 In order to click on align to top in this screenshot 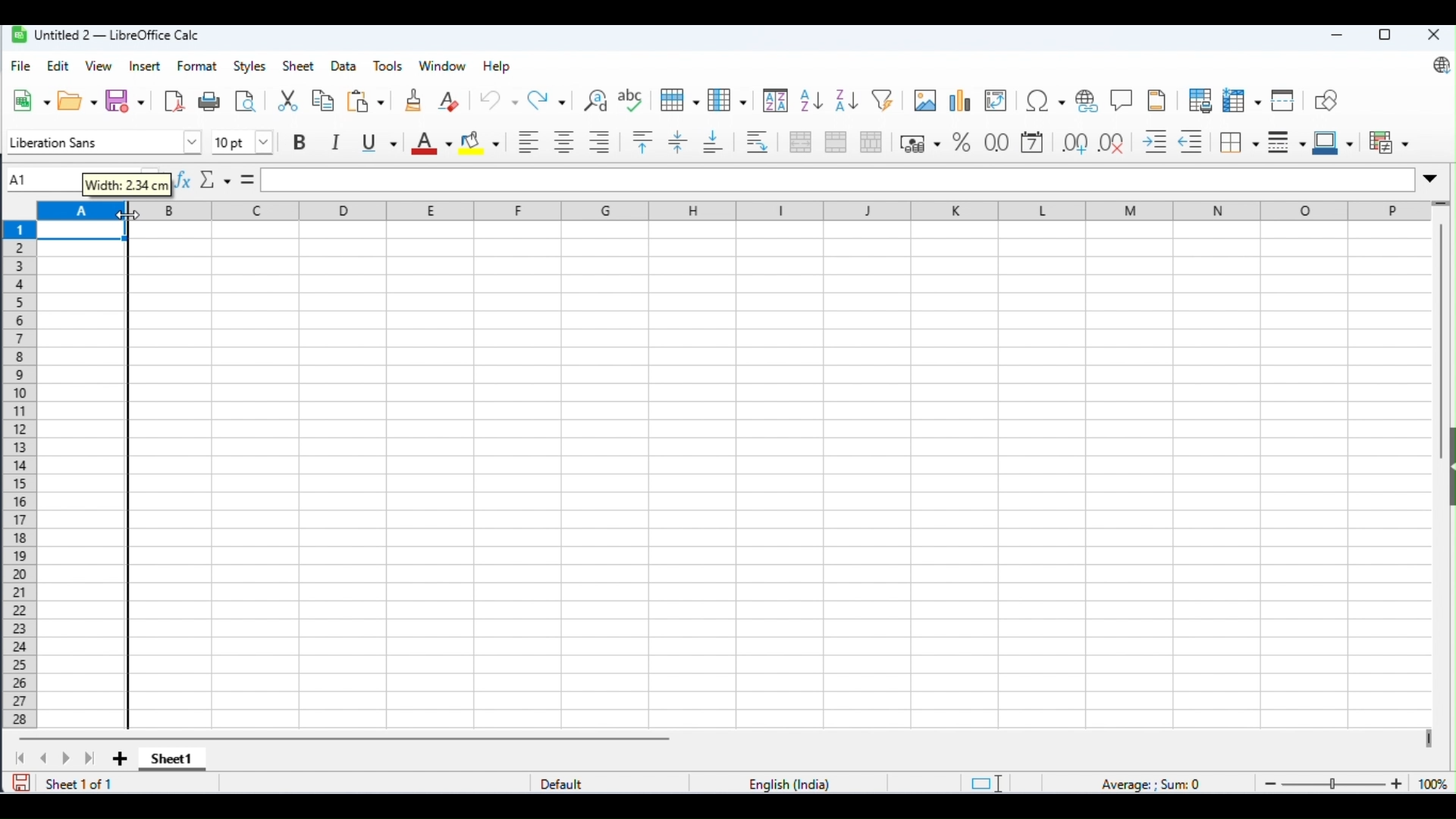, I will do `click(643, 142)`.